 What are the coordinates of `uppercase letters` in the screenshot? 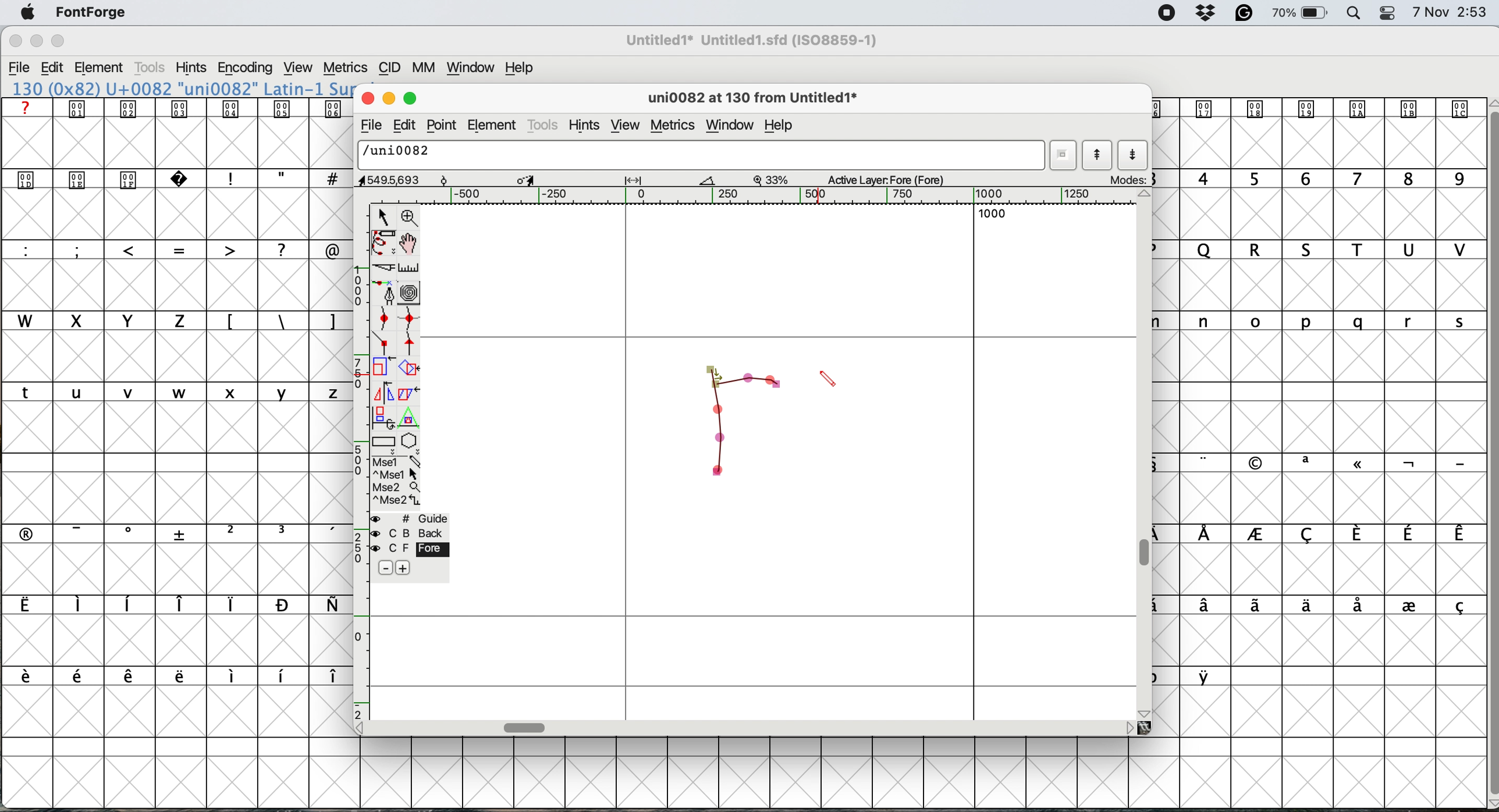 It's located at (1319, 251).